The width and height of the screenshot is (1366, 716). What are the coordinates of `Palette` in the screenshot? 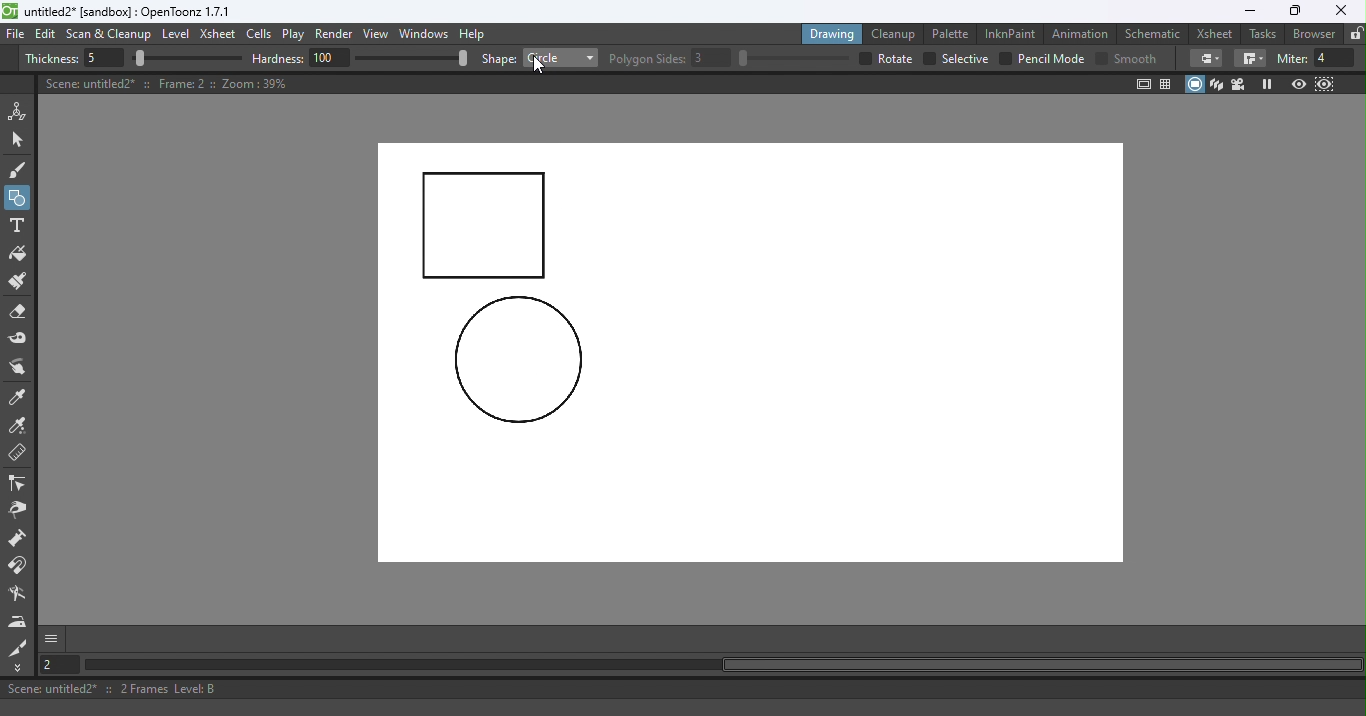 It's located at (953, 33).